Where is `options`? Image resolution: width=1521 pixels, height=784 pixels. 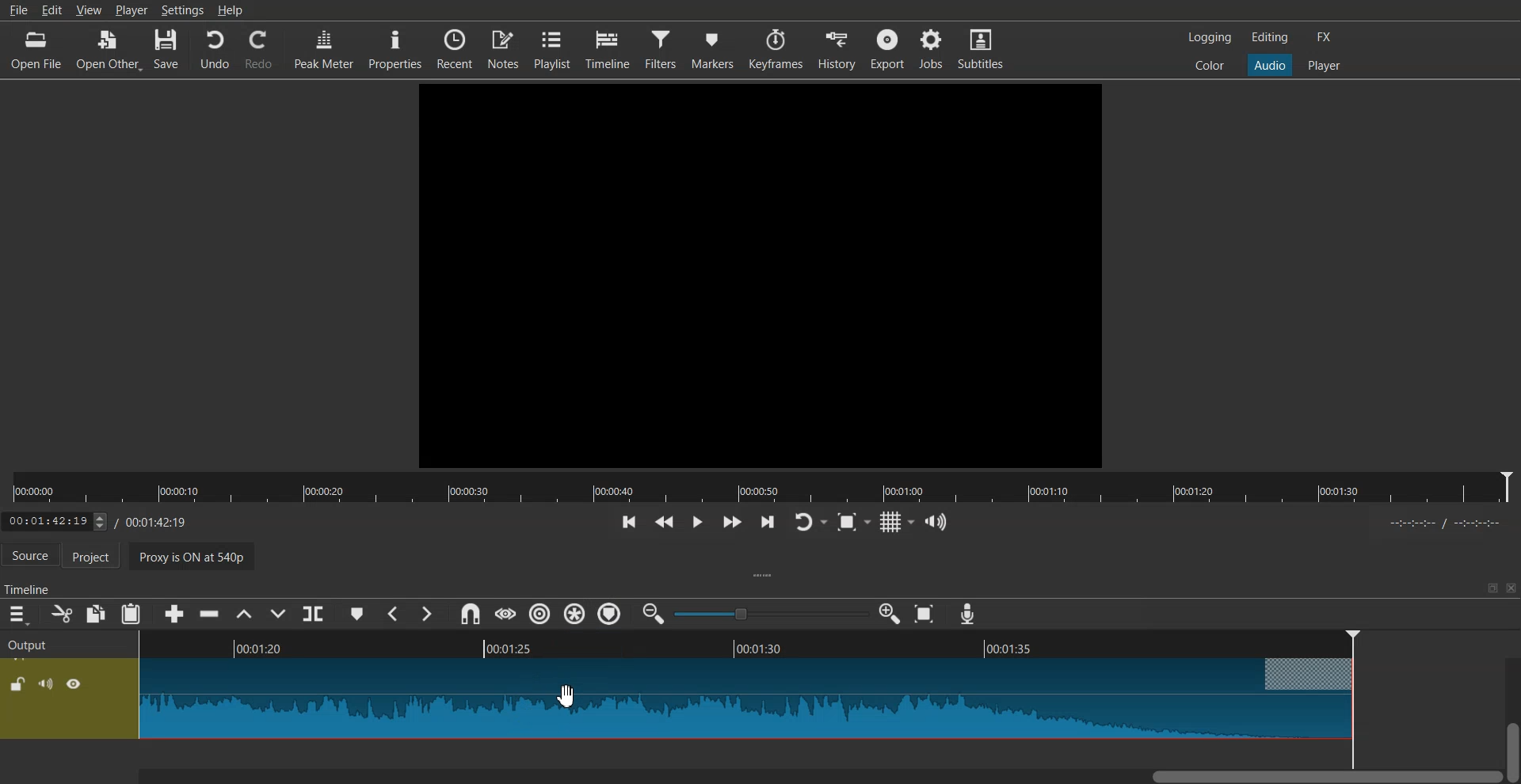 options is located at coordinates (65, 699).